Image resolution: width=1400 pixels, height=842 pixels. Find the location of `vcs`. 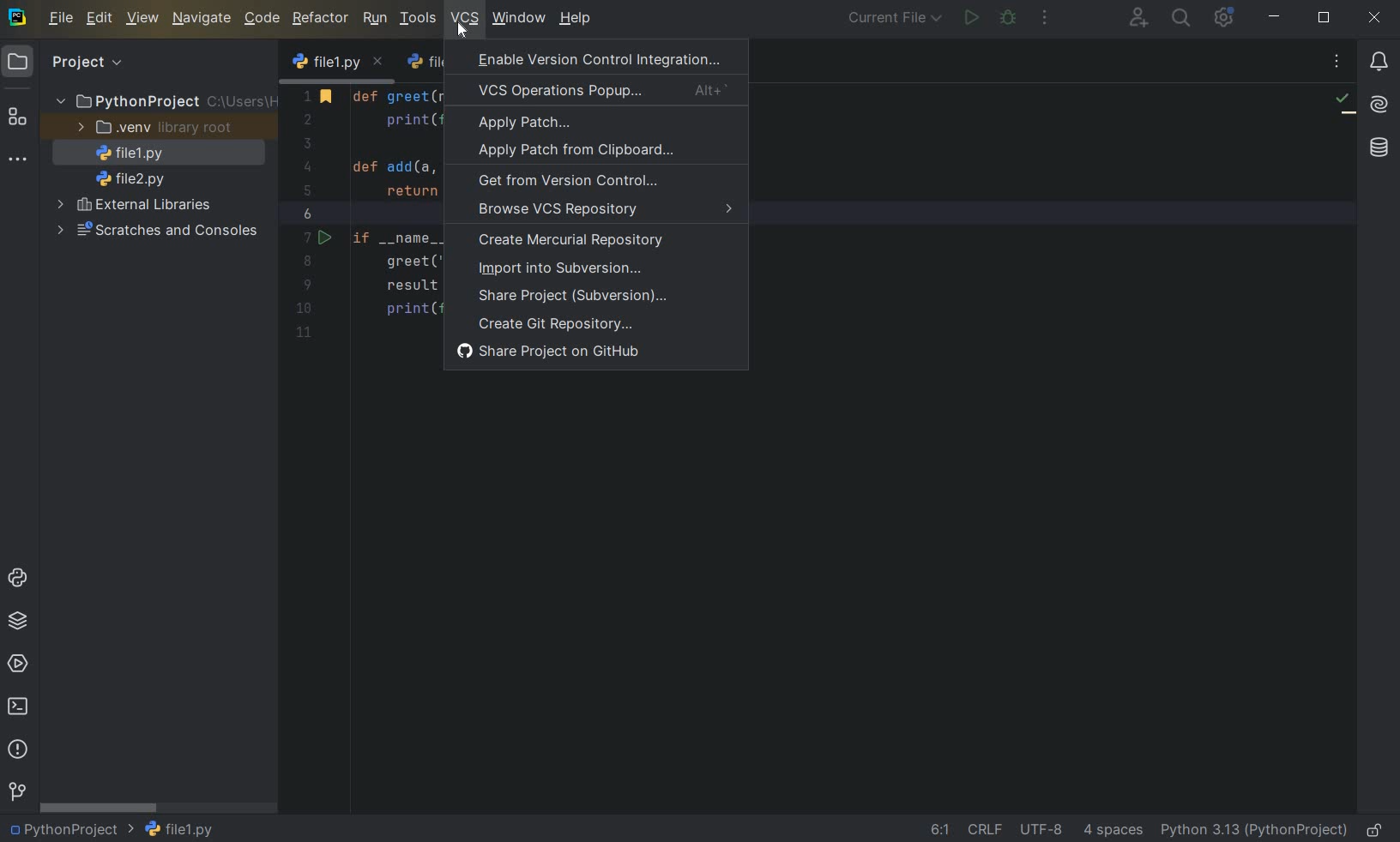

vcs is located at coordinates (464, 17).